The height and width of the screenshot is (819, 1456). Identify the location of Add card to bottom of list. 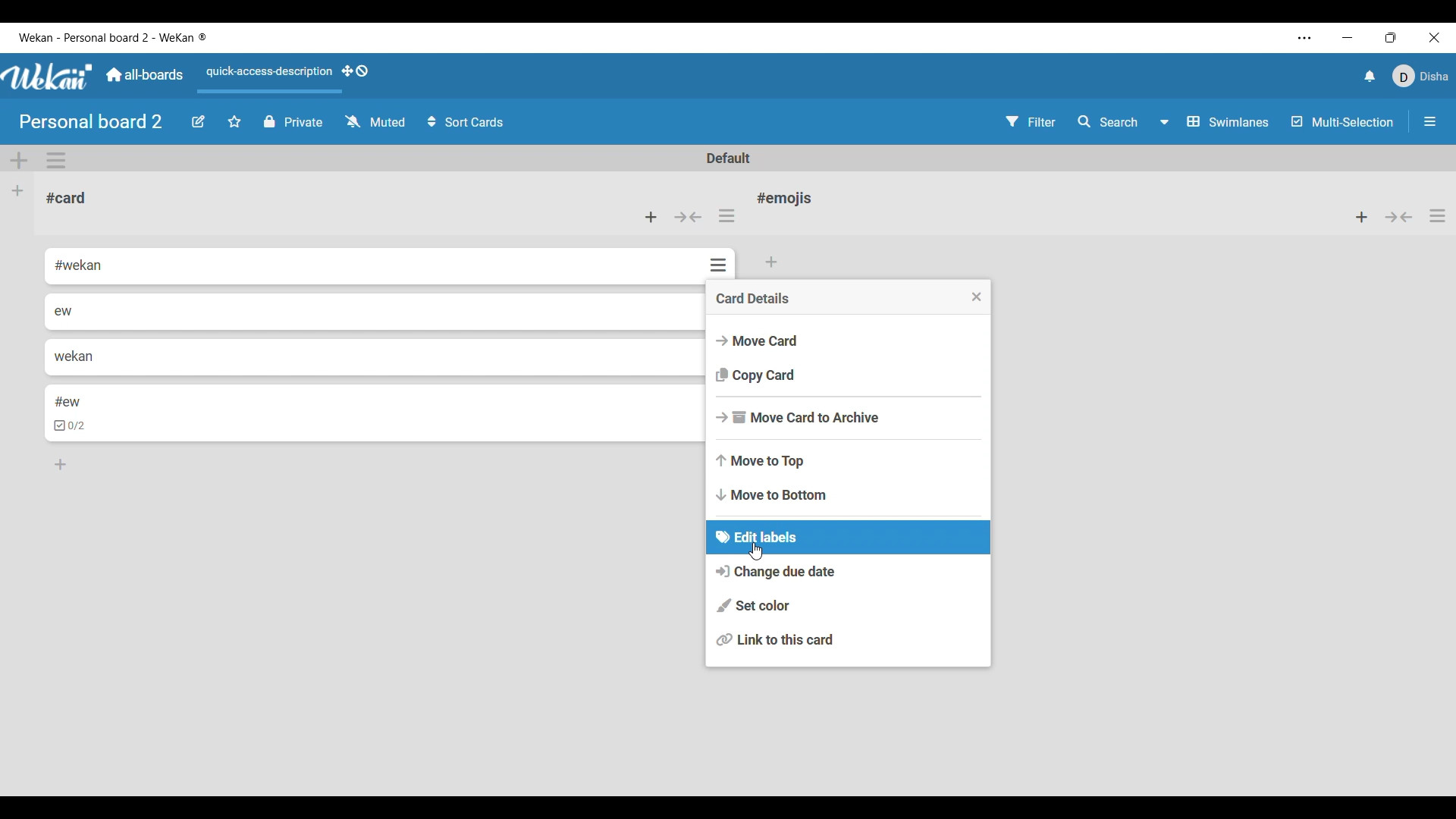
(773, 262).